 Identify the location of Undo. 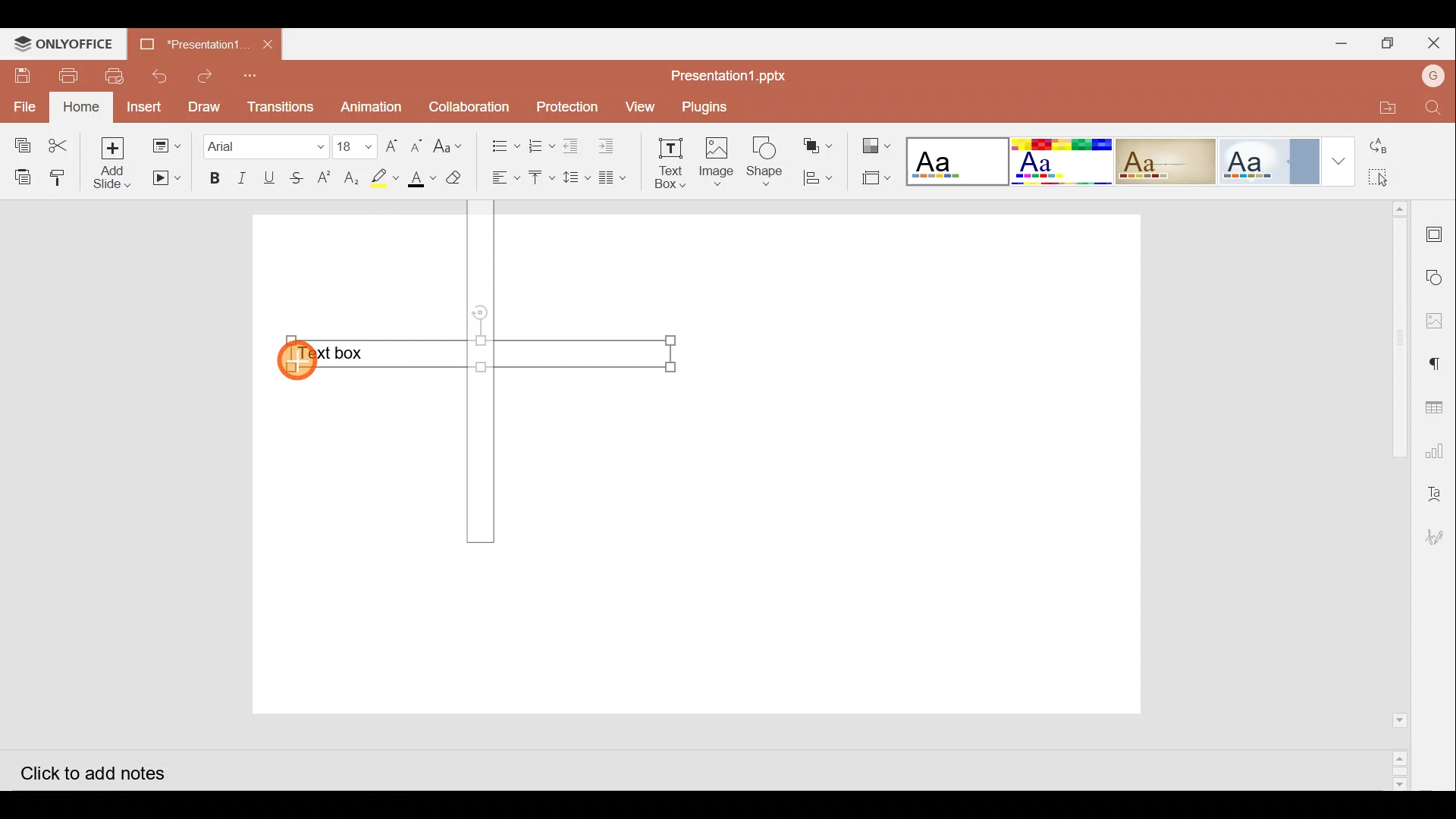
(157, 76).